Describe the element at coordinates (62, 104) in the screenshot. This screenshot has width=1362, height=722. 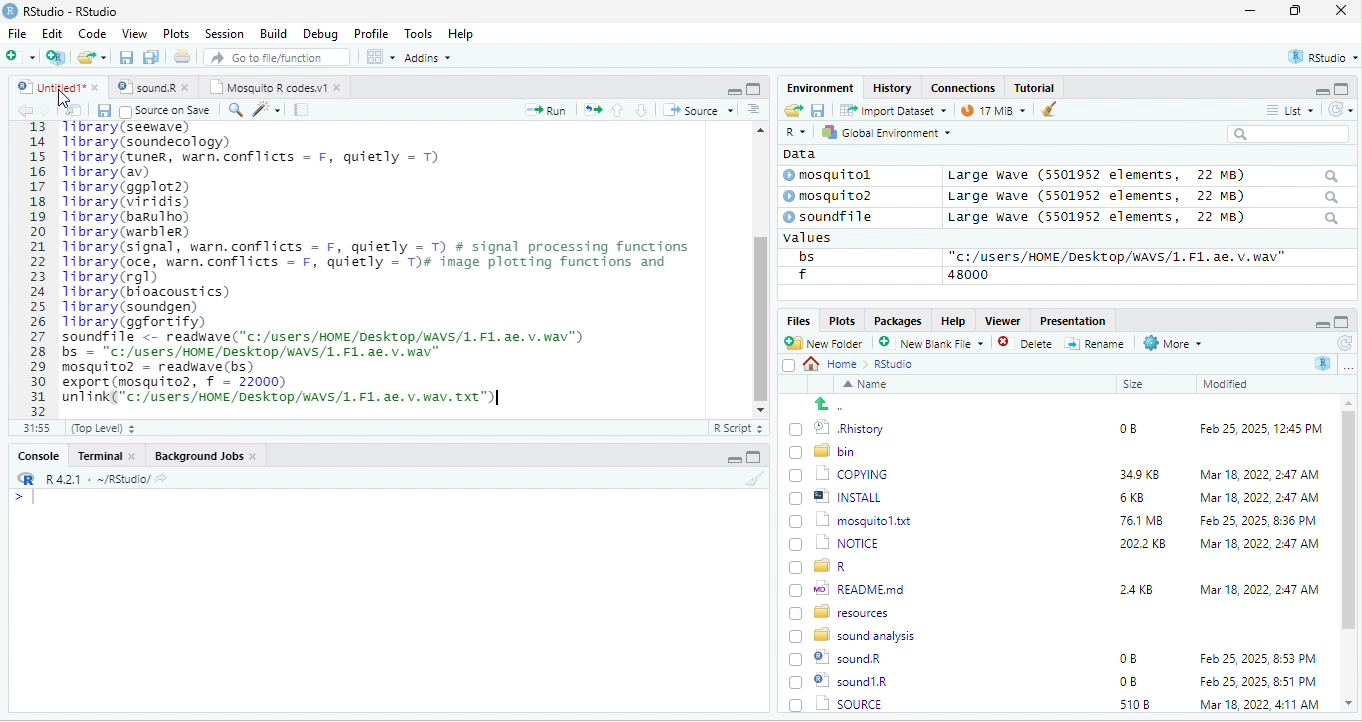
I see `cursor` at that location.